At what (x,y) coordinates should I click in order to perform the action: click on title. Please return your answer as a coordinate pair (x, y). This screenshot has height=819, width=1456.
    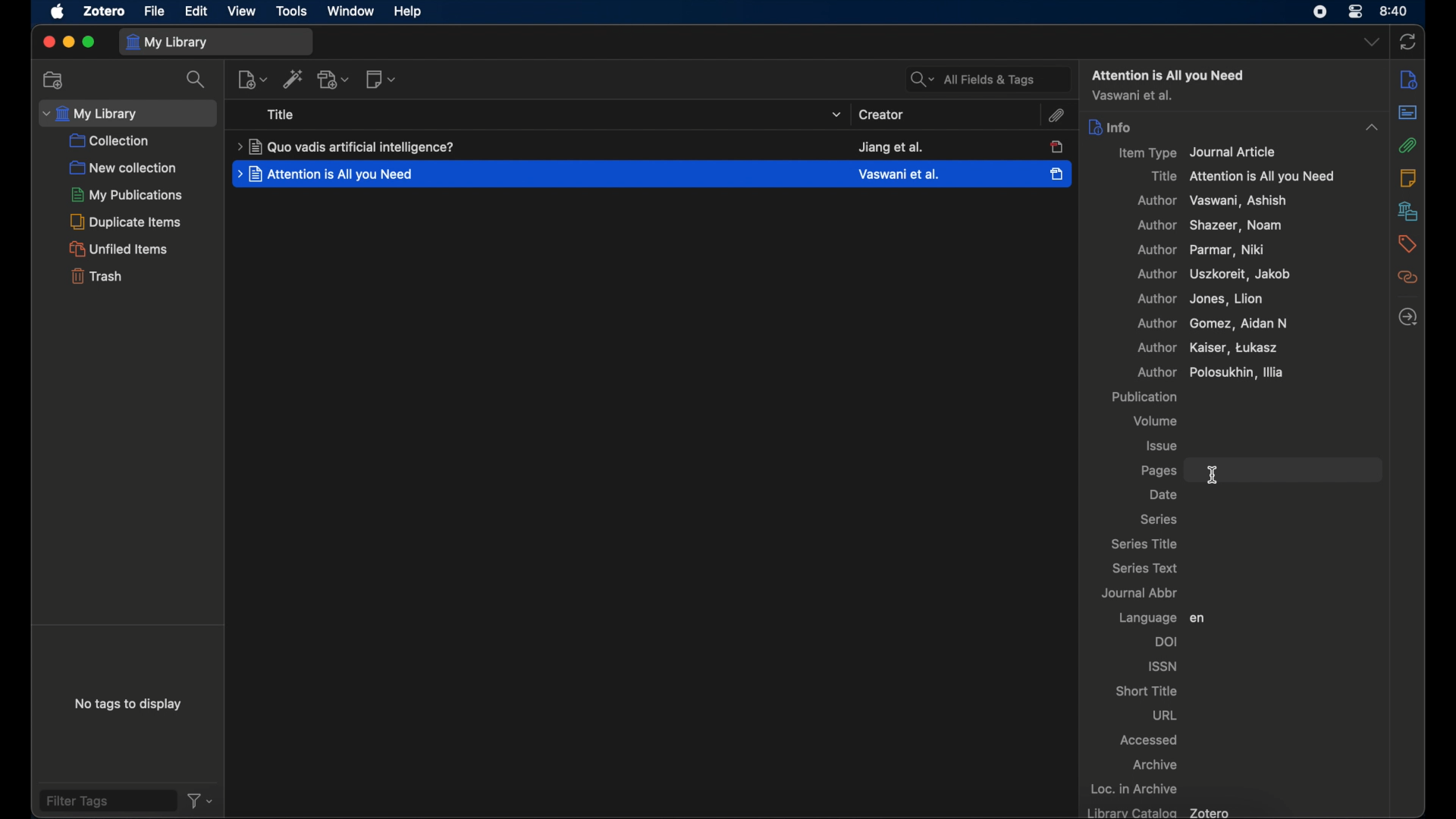
    Looking at the image, I should click on (346, 146).